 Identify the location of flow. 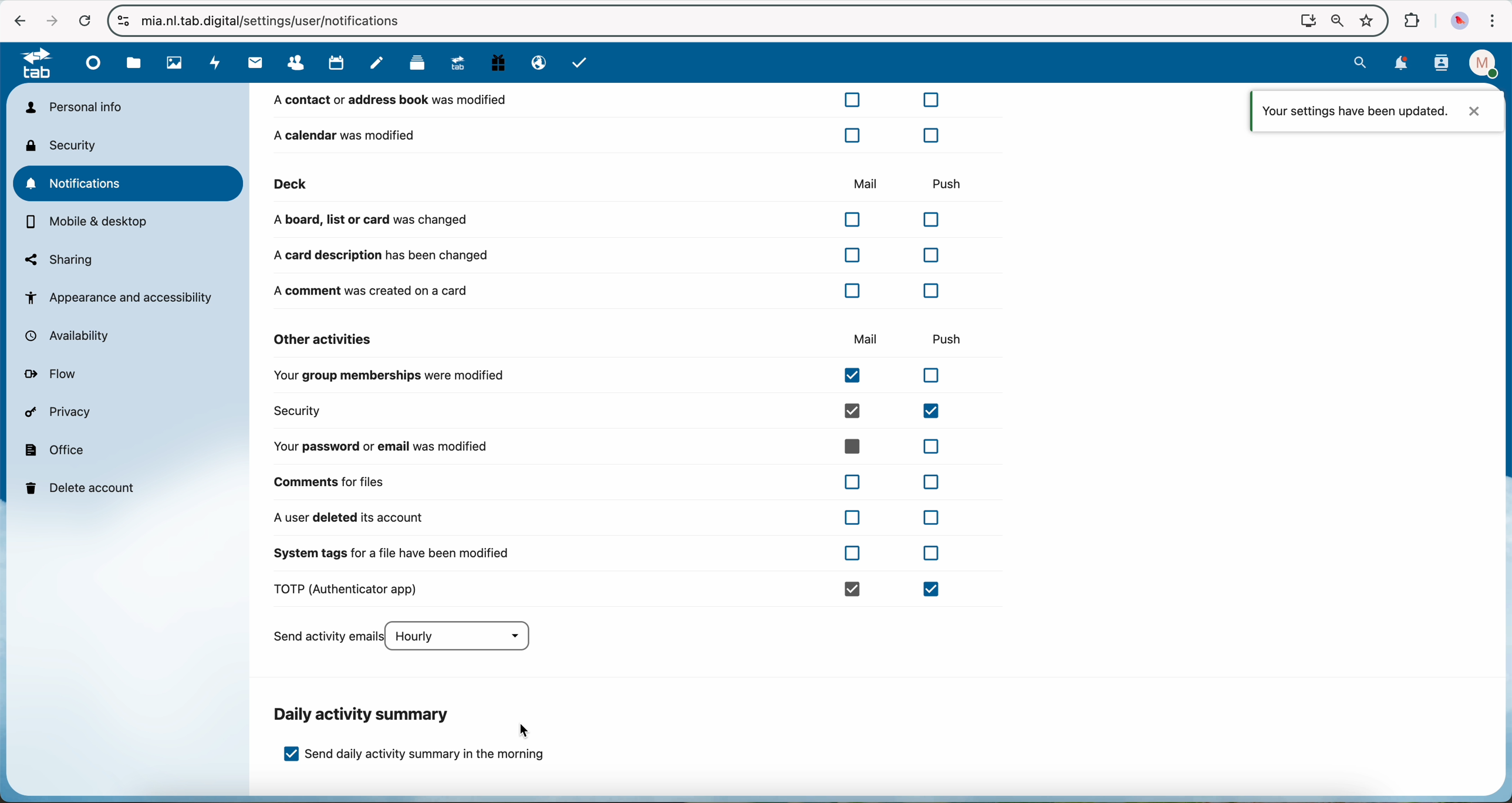
(54, 375).